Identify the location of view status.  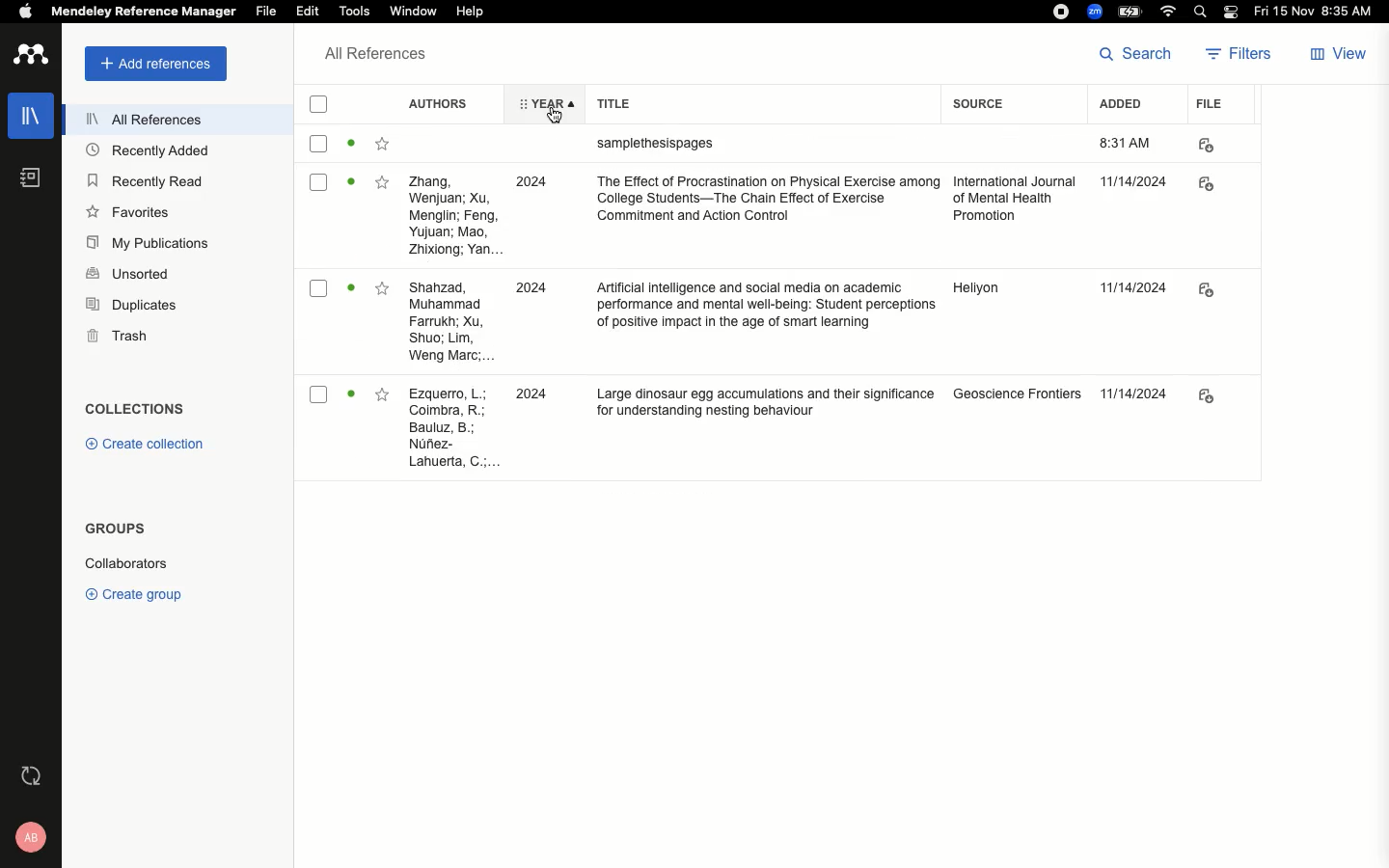
(351, 187).